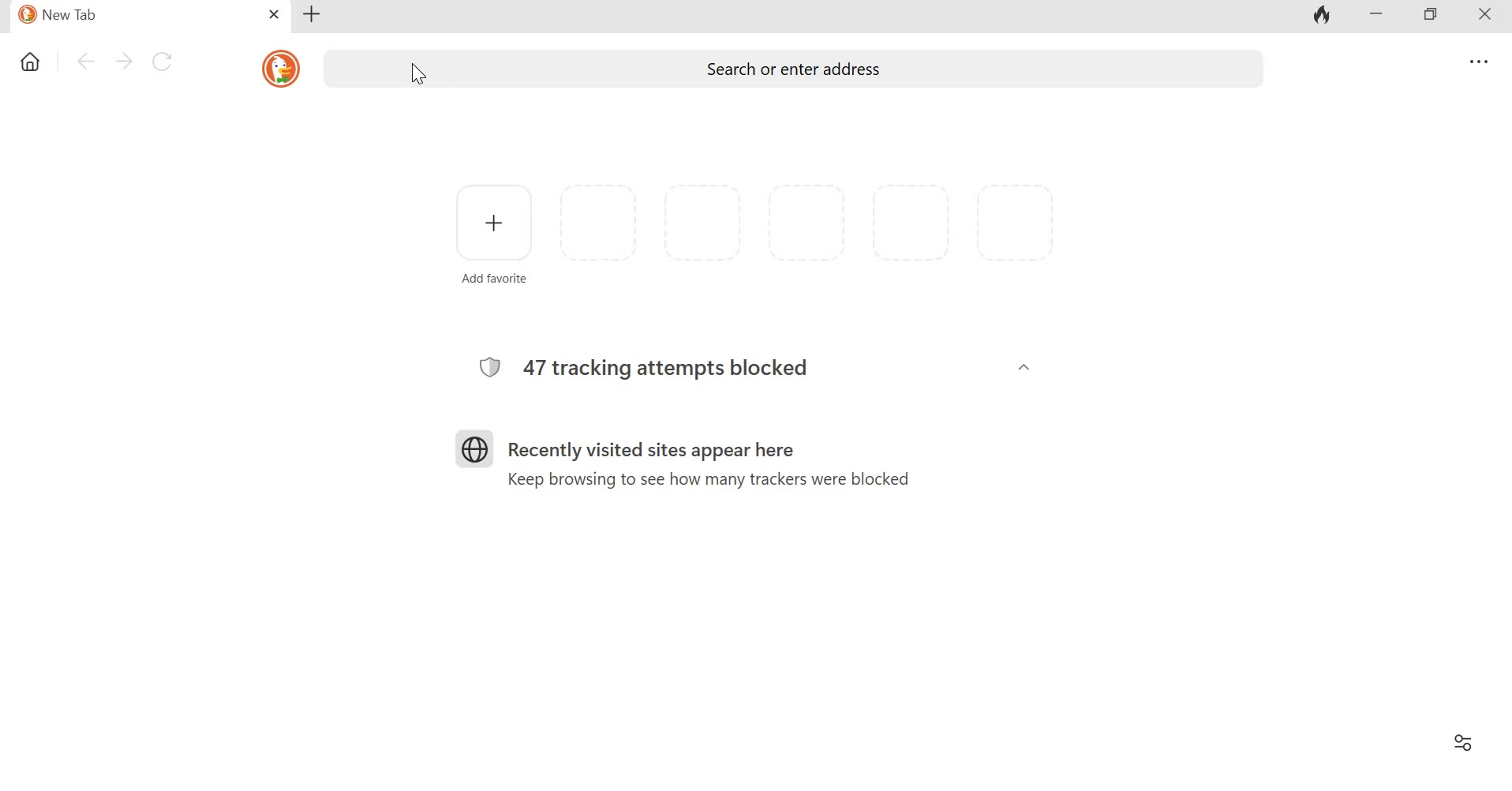  I want to click on duckduckgo icon, so click(281, 69).